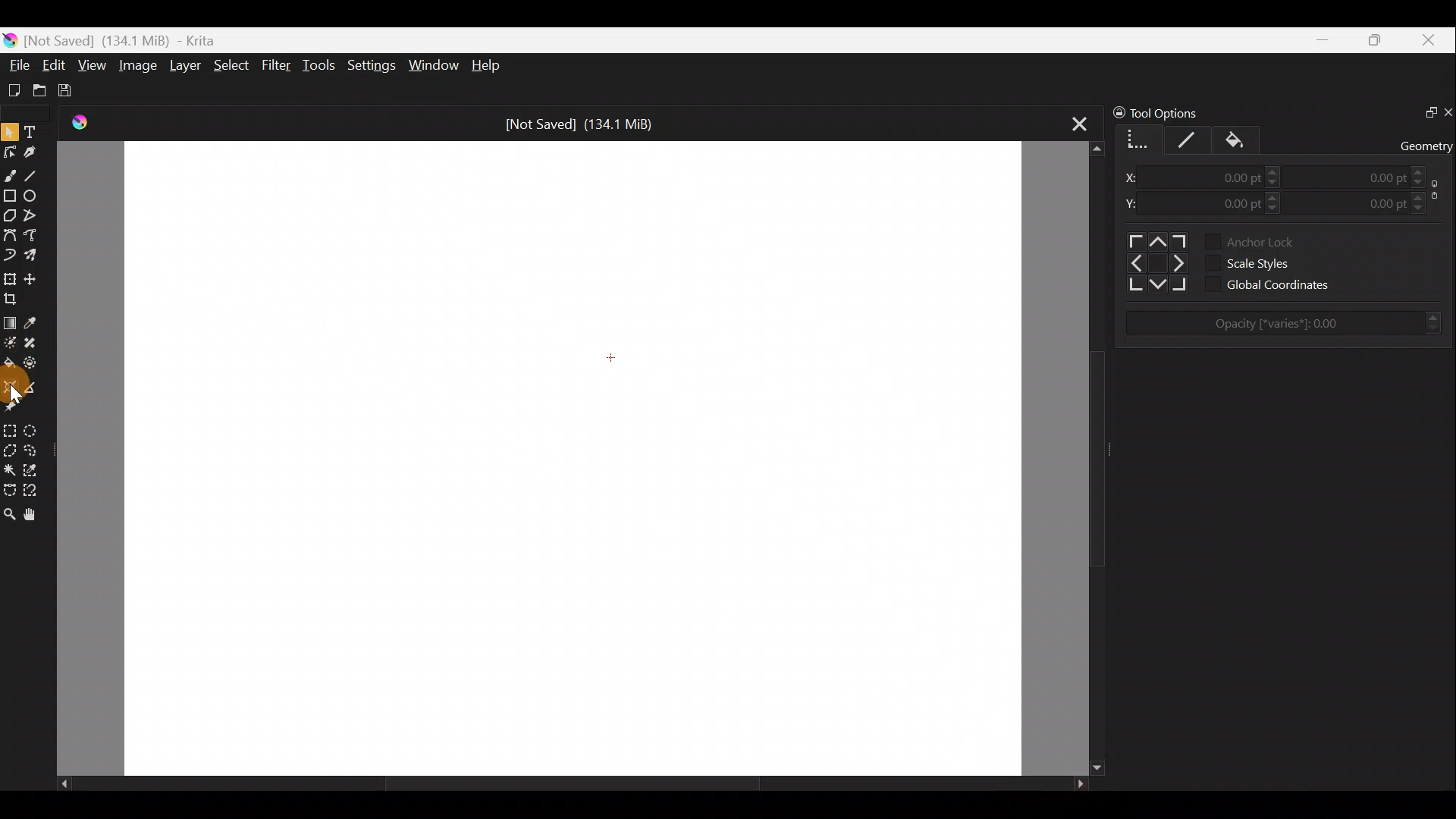 Image resolution: width=1456 pixels, height=819 pixels. I want to click on Stroke, so click(1188, 140).